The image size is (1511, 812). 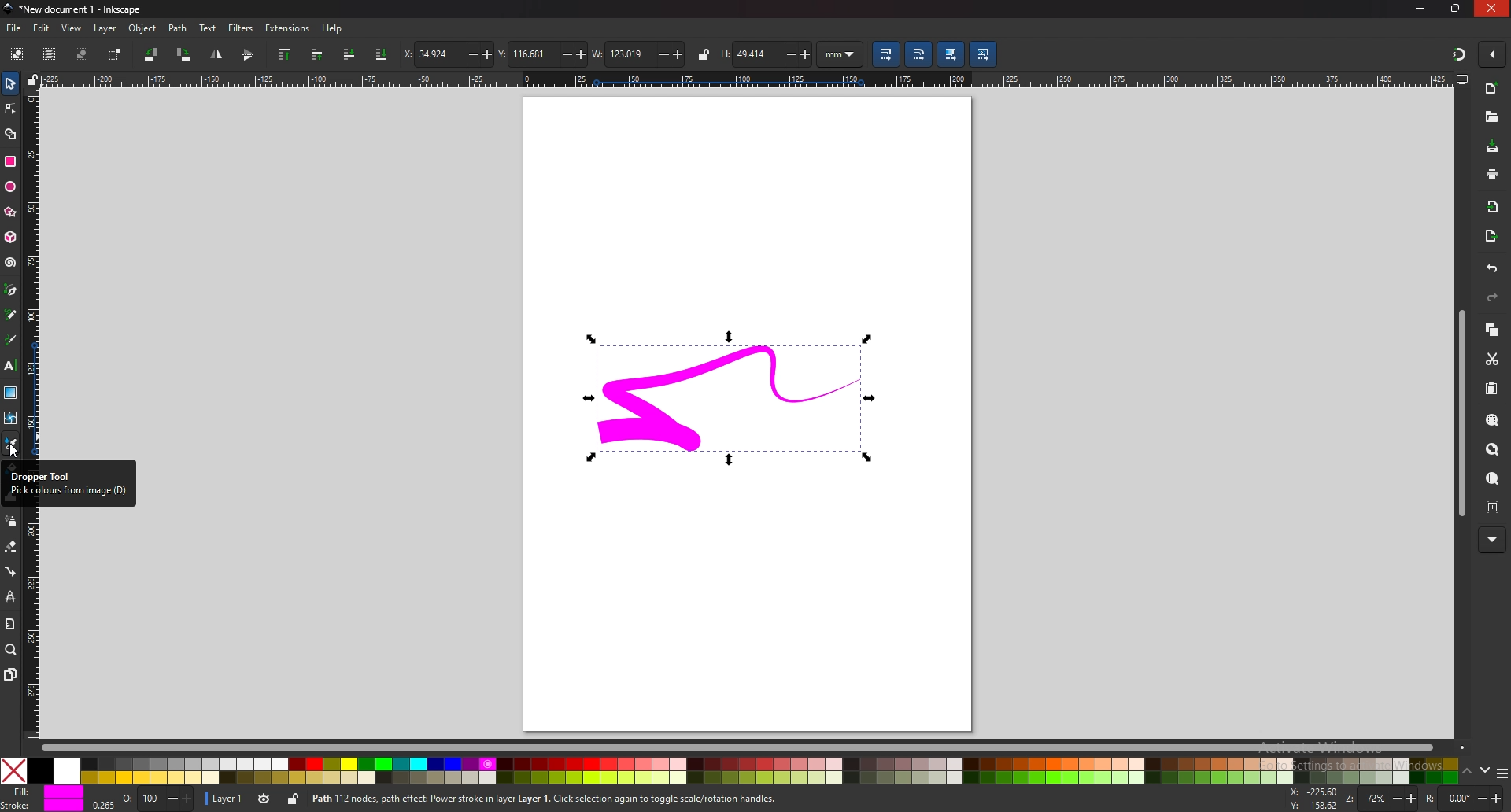 I want to click on zoom page, so click(x=1492, y=478).